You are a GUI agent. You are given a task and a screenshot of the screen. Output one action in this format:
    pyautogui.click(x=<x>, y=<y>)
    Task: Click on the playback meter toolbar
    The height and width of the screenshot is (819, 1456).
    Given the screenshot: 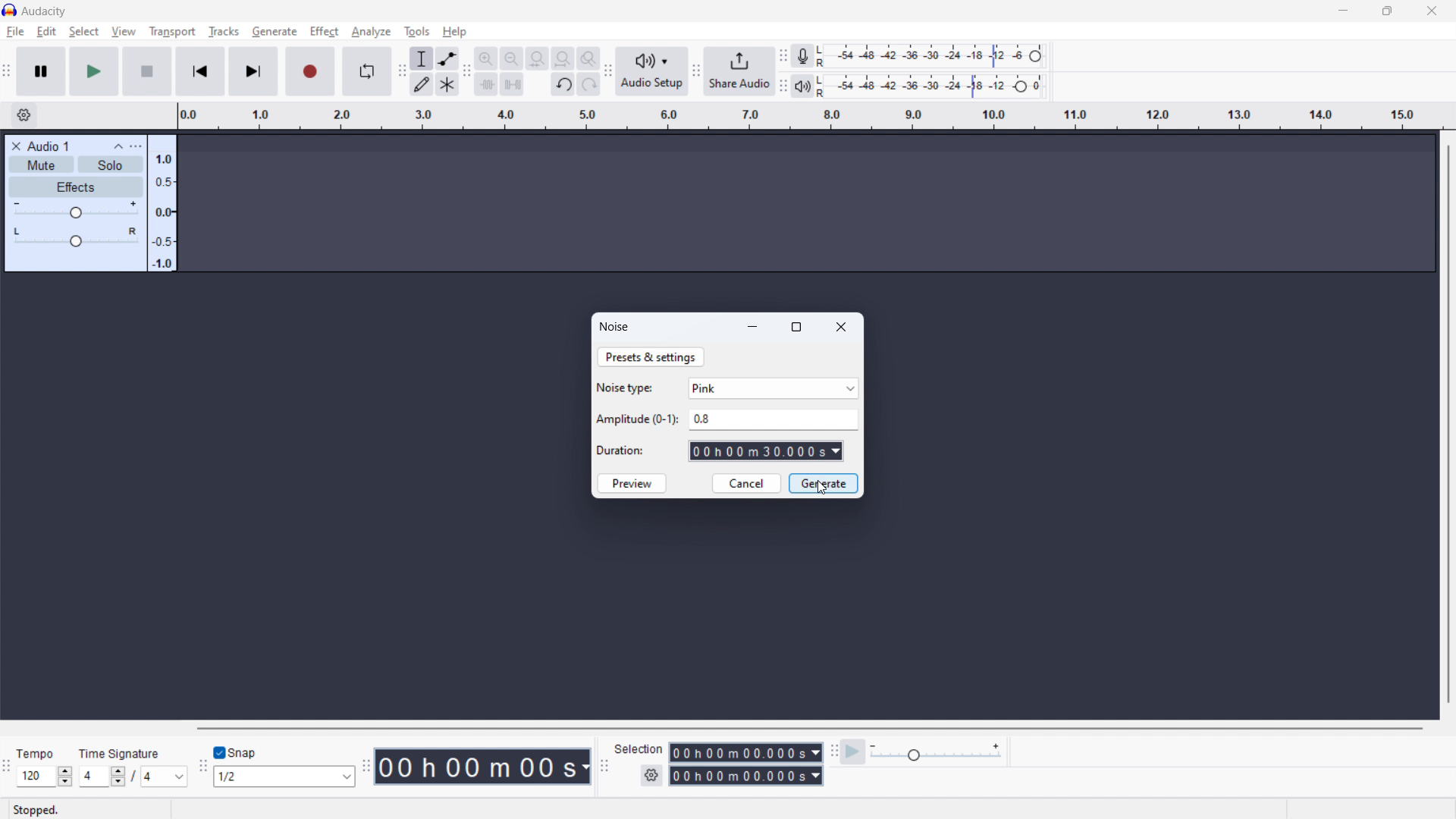 What is the action you would take?
    pyautogui.click(x=782, y=86)
    